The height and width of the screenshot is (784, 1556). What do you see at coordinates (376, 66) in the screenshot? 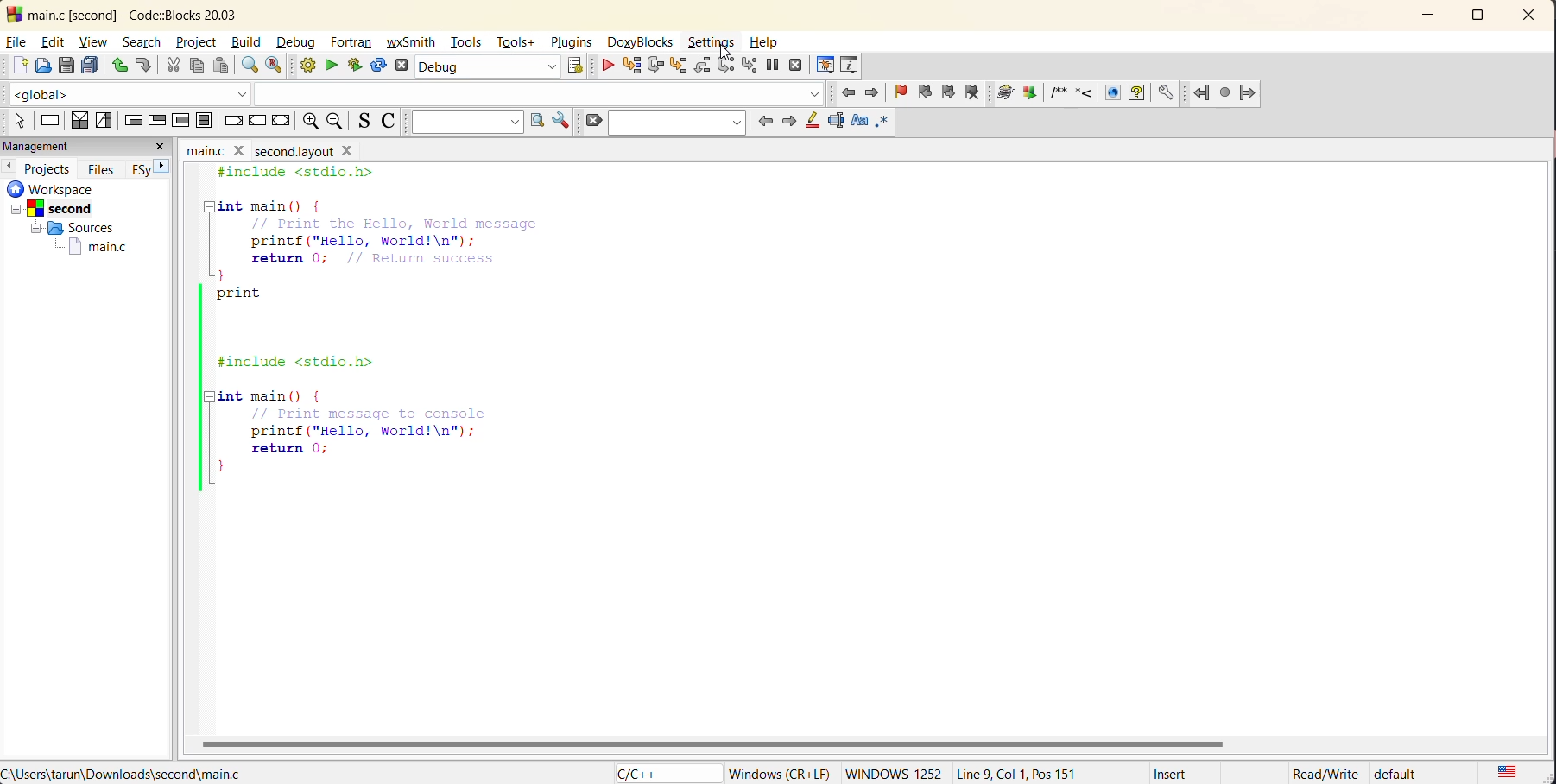
I see `rebuild` at bounding box center [376, 66].